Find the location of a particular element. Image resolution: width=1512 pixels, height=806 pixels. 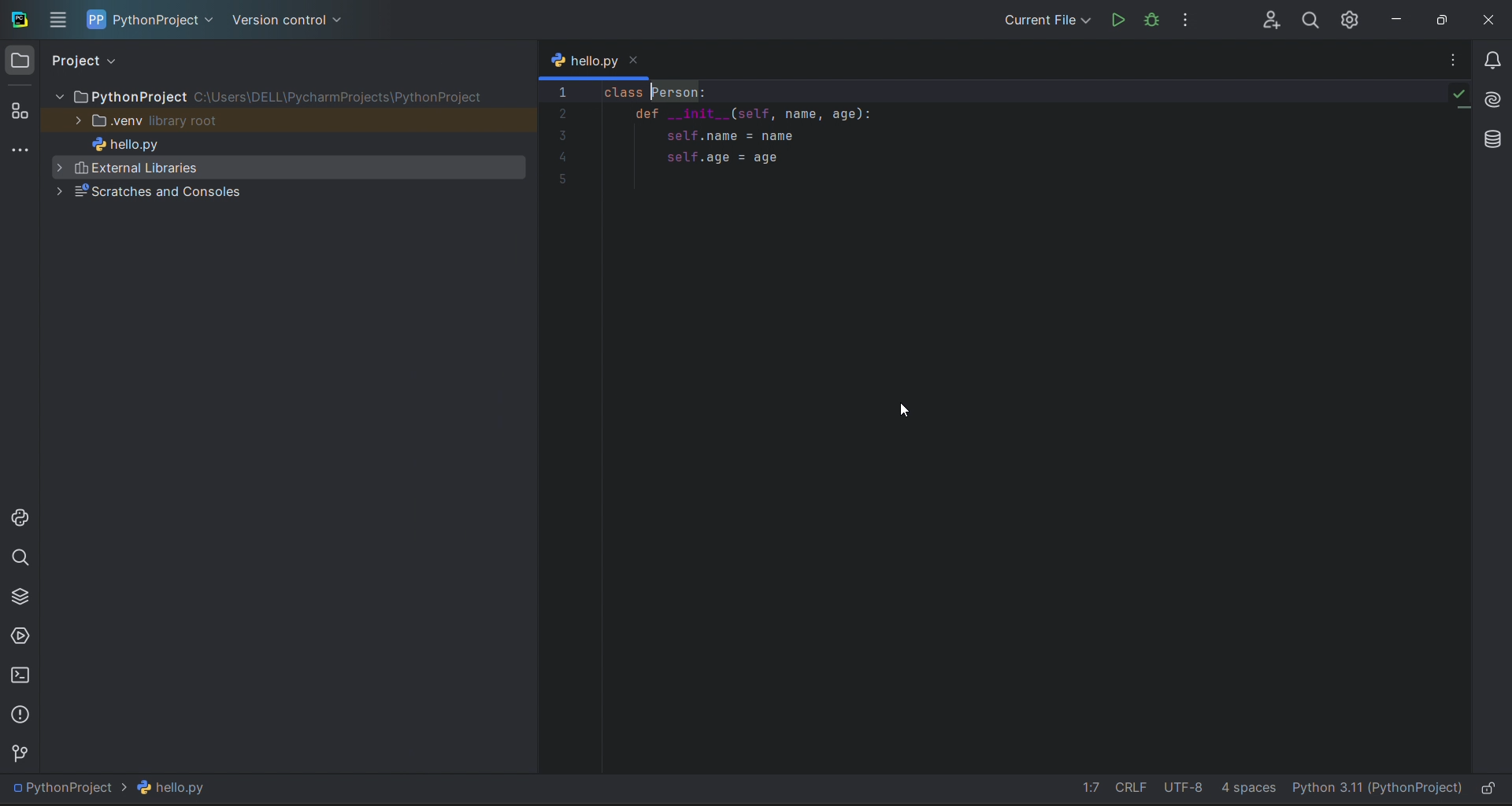

options is located at coordinates (1186, 19).